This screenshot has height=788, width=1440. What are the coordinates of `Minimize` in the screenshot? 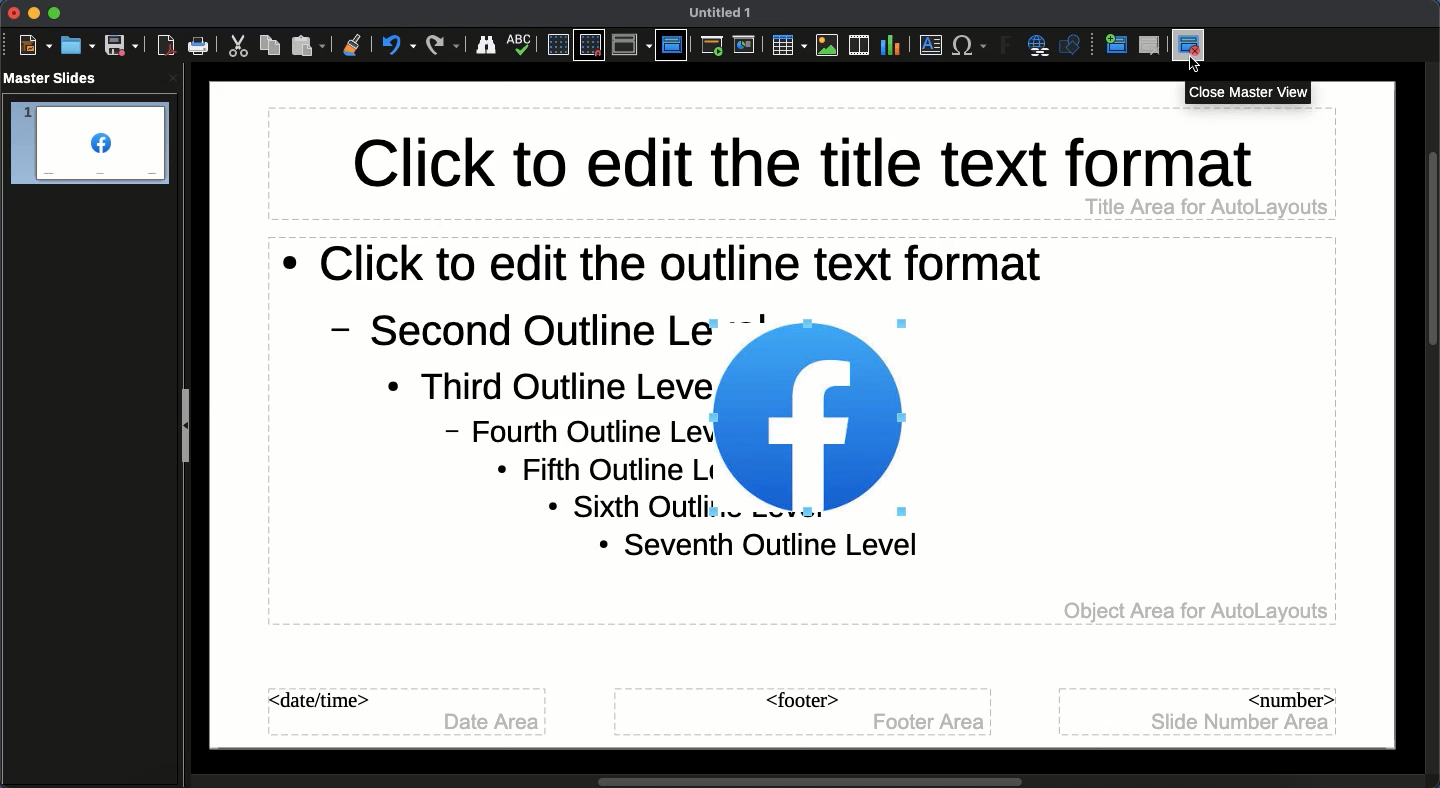 It's located at (33, 13).